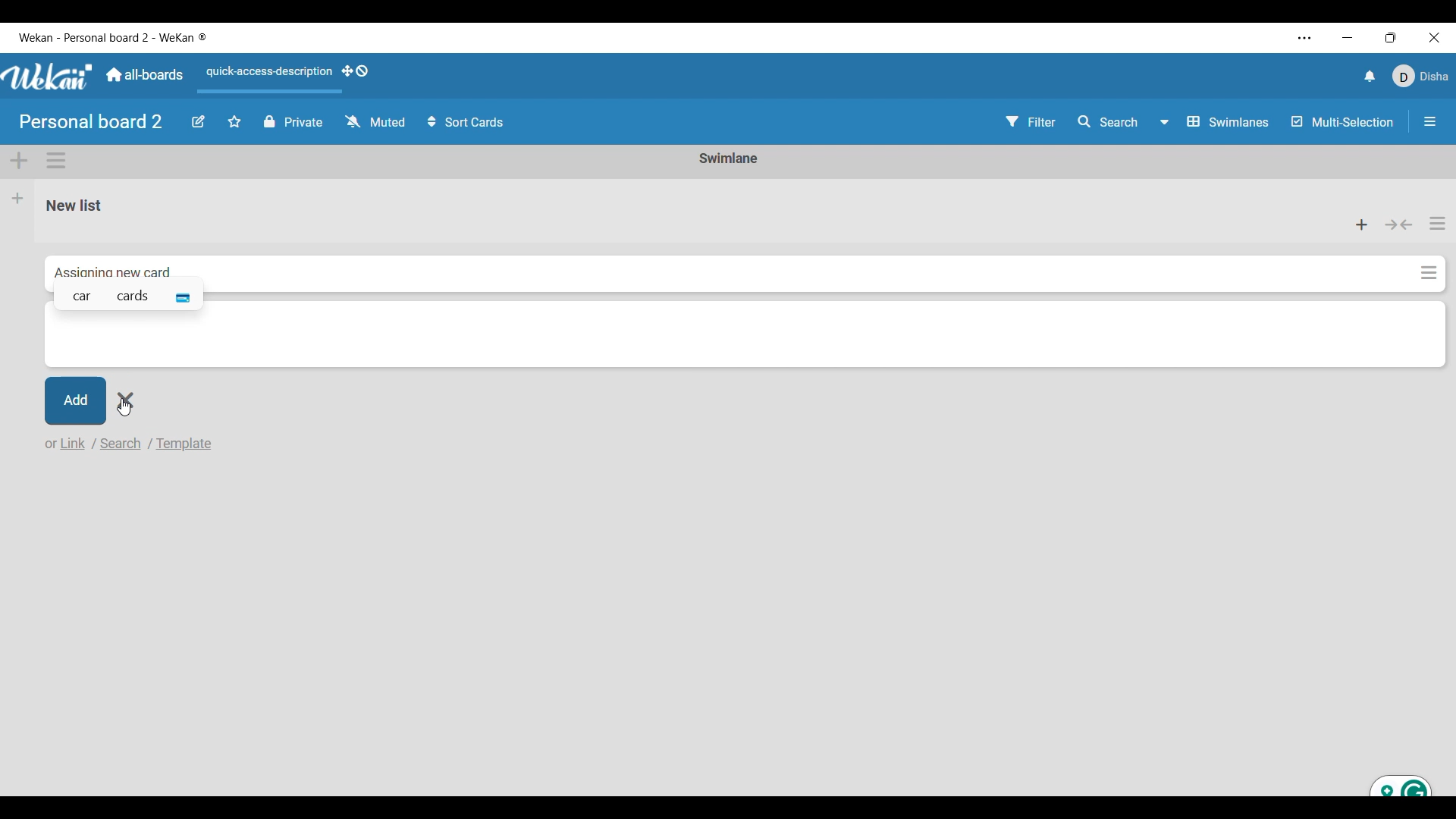  Describe the element at coordinates (1216, 122) in the screenshot. I see `Boardview options` at that location.